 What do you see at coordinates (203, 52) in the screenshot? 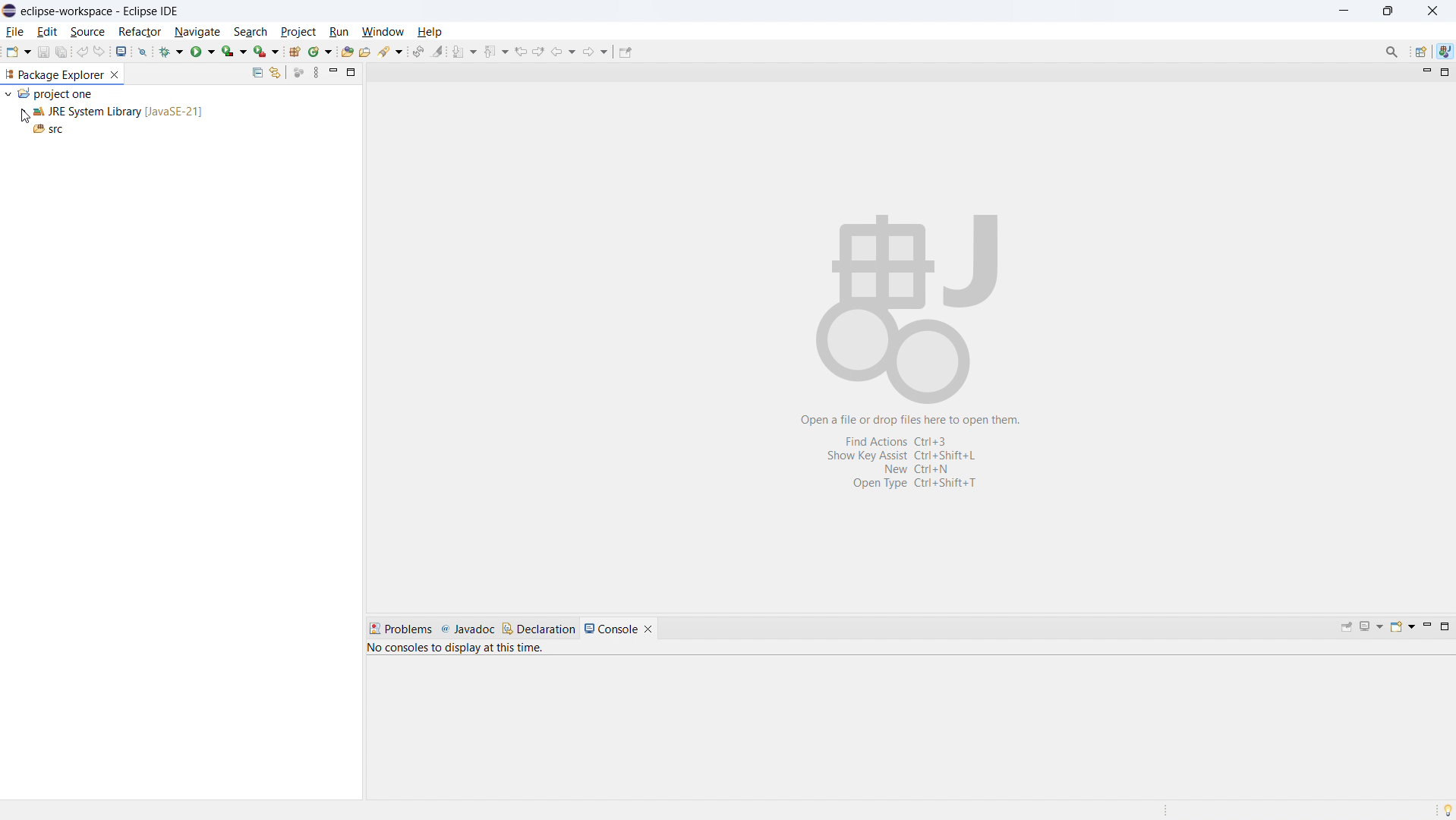
I see `run` at bounding box center [203, 52].